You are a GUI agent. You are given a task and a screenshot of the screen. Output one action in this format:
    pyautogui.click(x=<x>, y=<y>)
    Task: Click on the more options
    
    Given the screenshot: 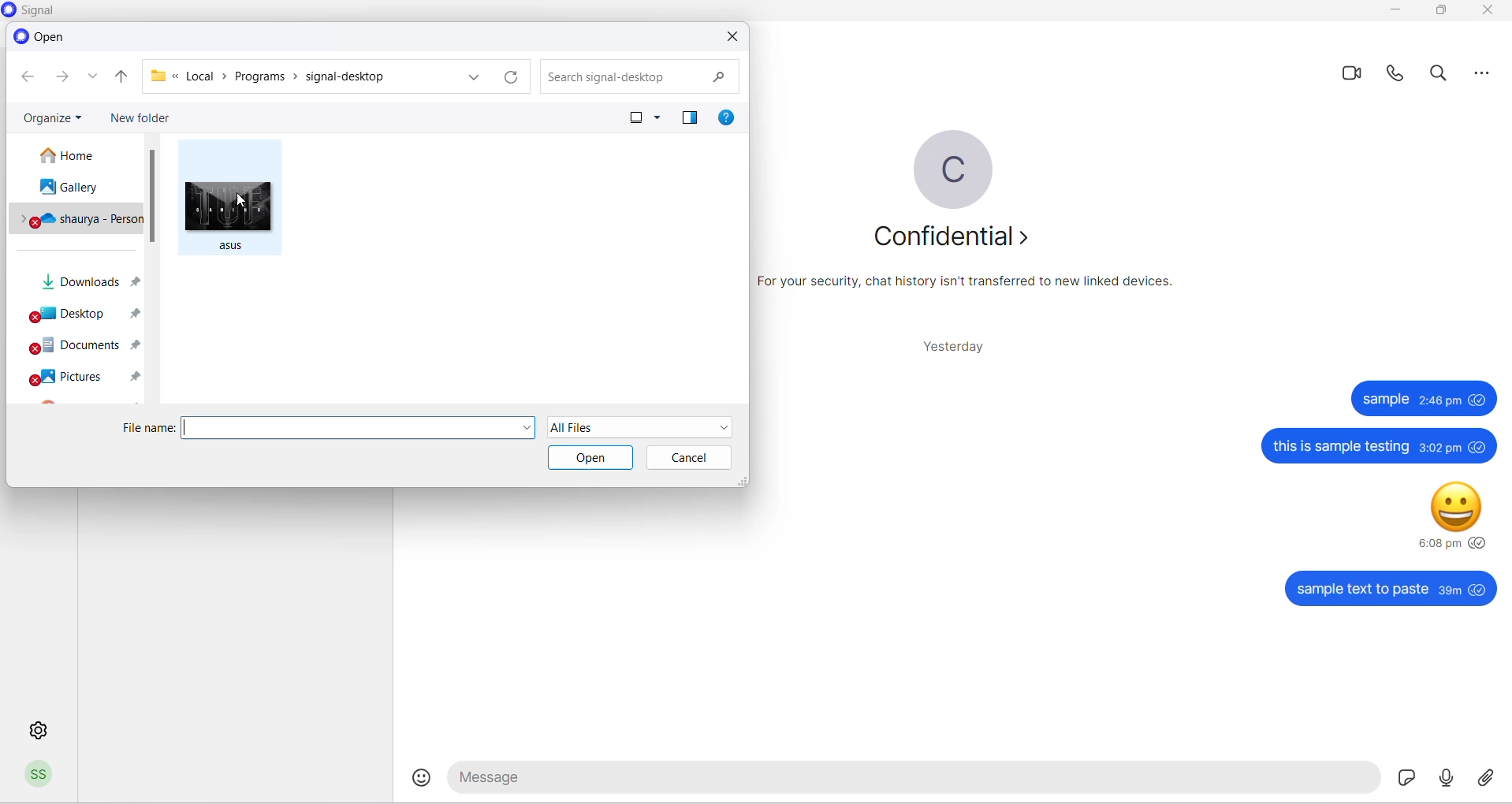 What is the action you would take?
    pyautogui.click(x=660, y=119)
    